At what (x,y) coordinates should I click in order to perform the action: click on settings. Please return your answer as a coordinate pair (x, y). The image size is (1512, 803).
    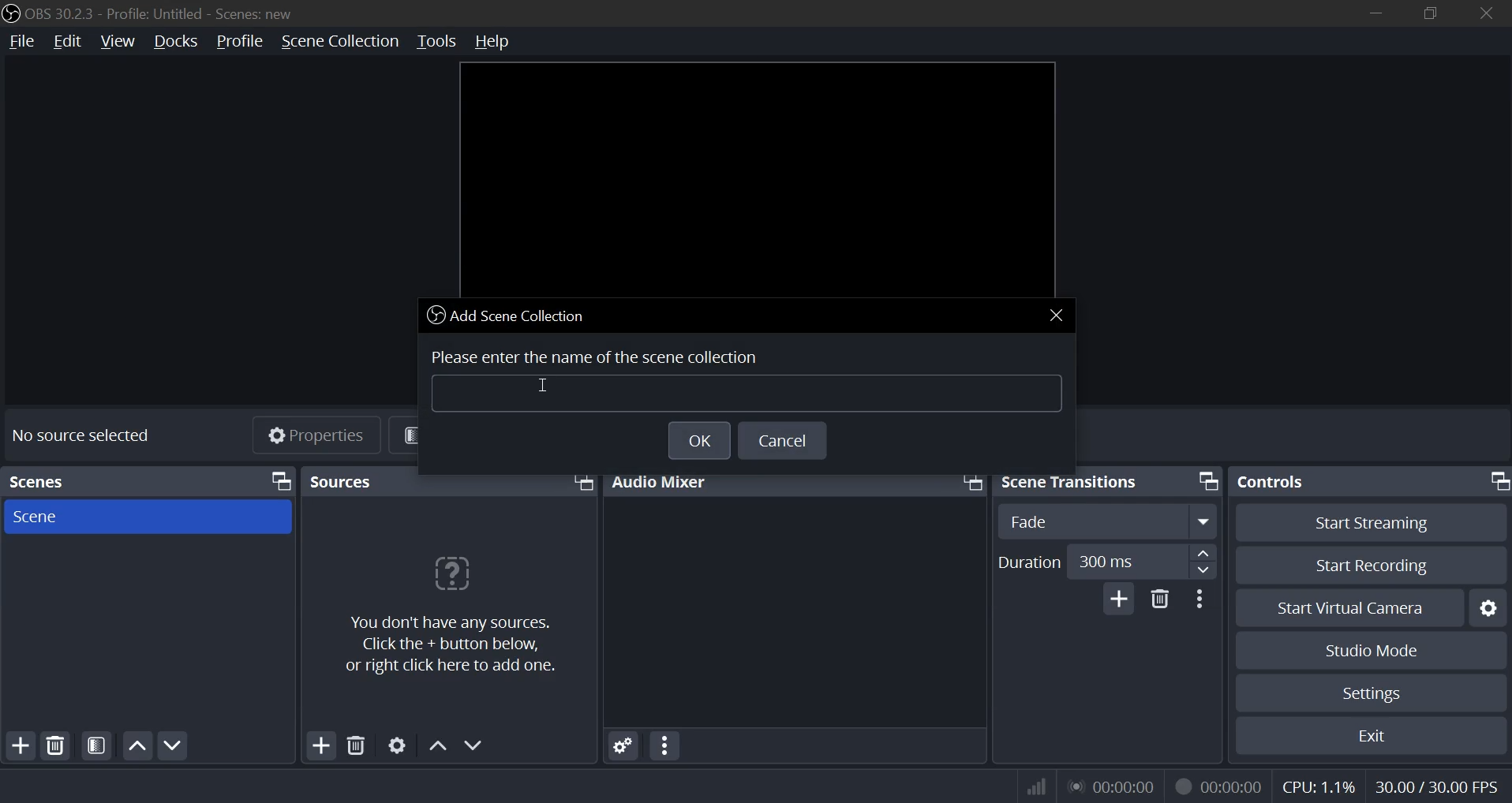
    Looking at the image, I should click on (1491, 607).